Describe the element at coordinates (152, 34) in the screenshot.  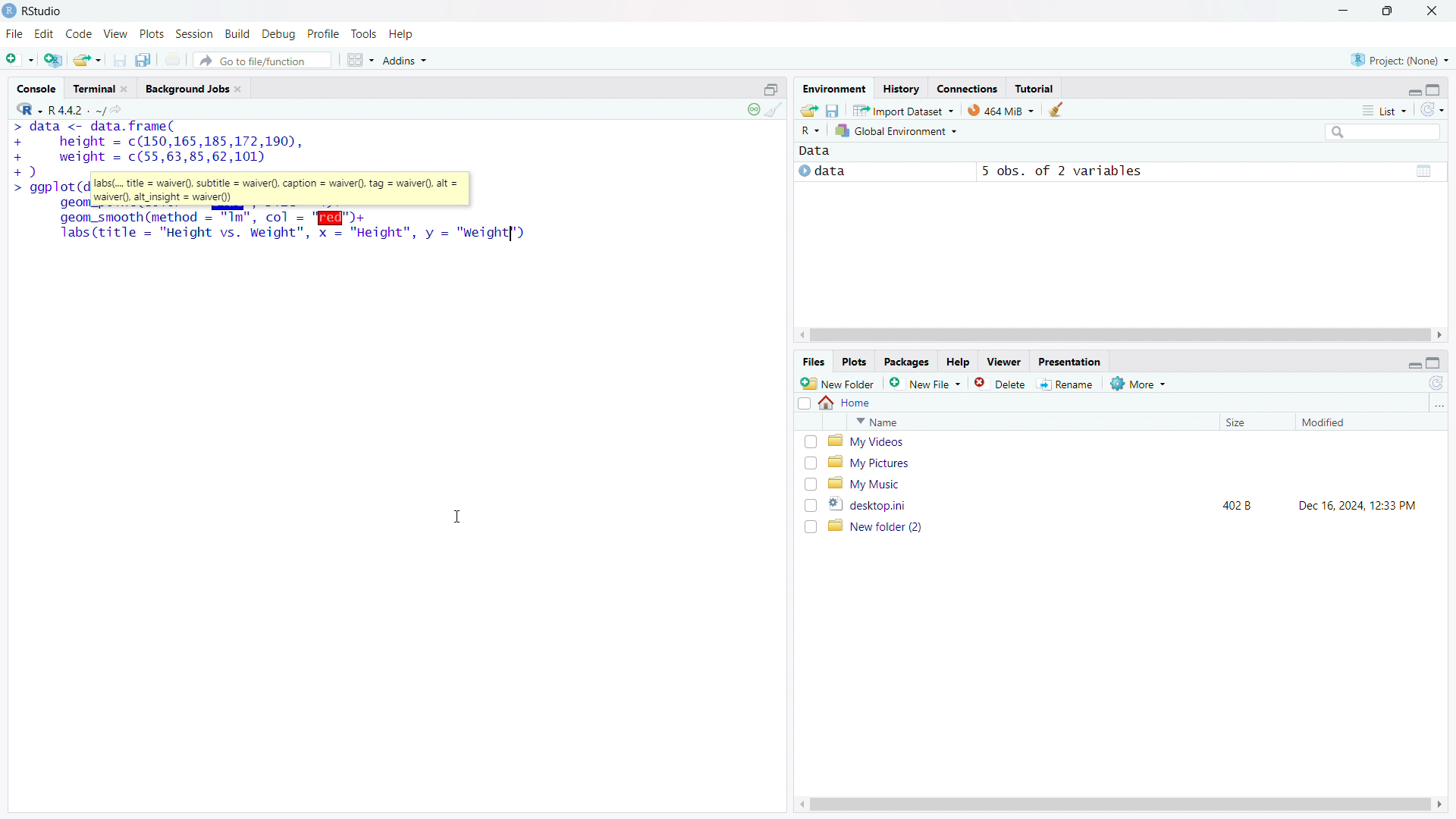
I see `plots` at that location.